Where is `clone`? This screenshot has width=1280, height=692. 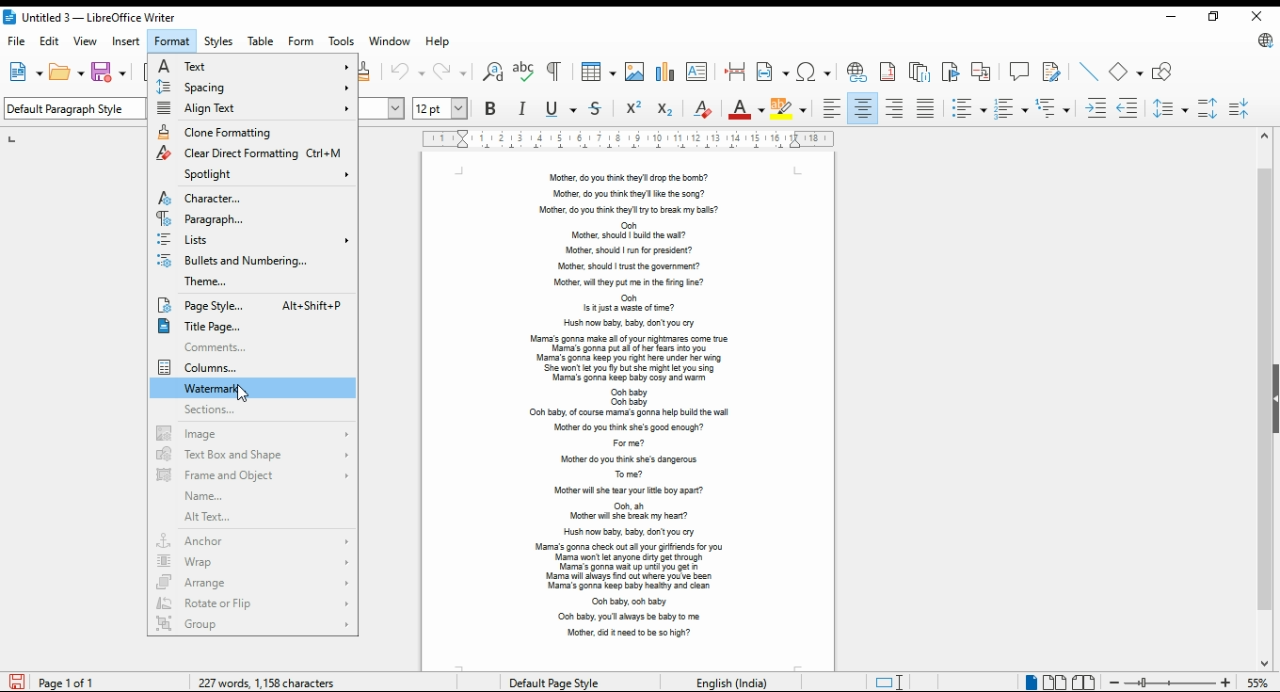 clone is located at coordinates (250, 132).